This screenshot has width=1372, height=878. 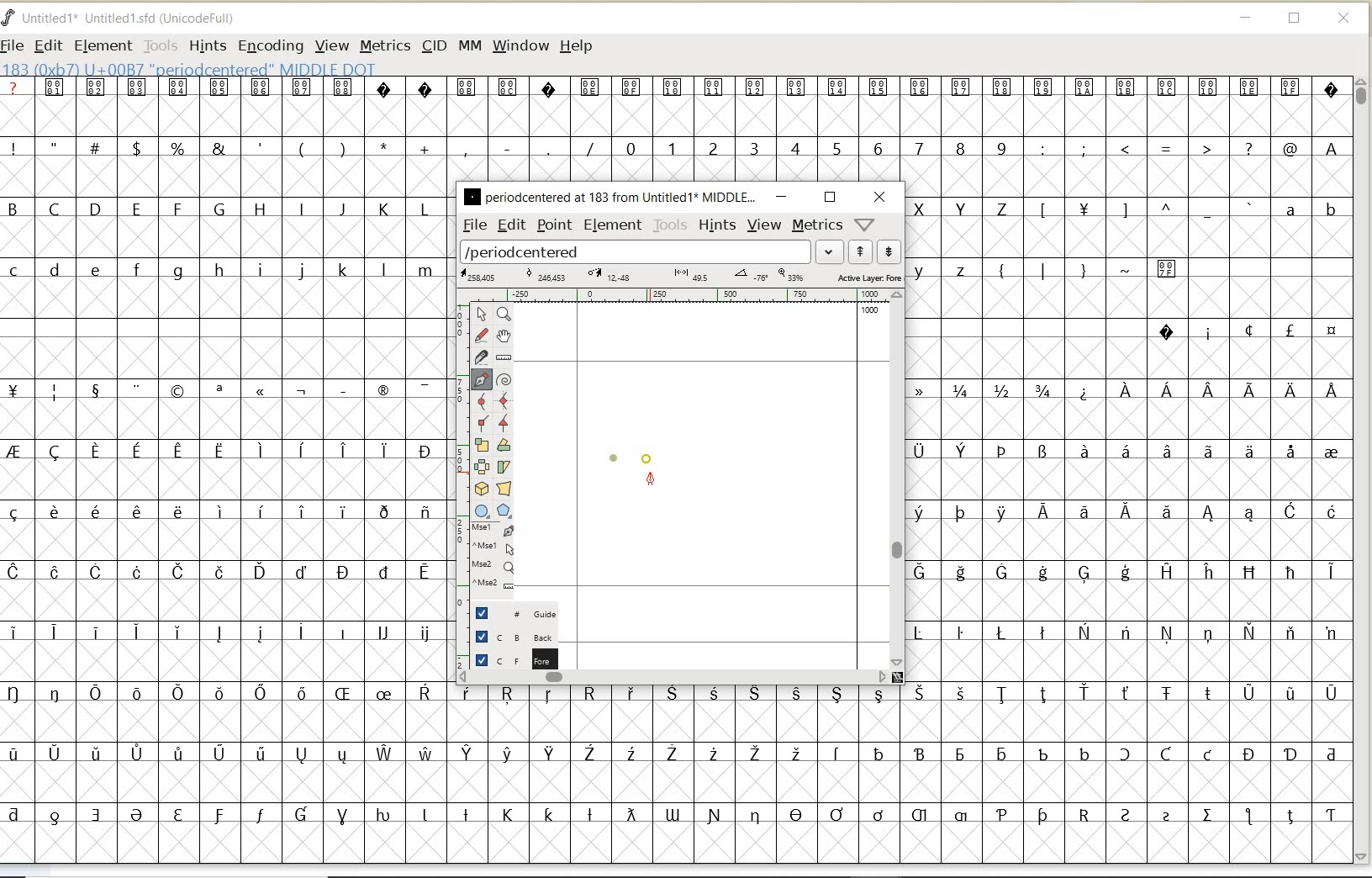 I want to click on ENCODING, so click(x=271, y=47).